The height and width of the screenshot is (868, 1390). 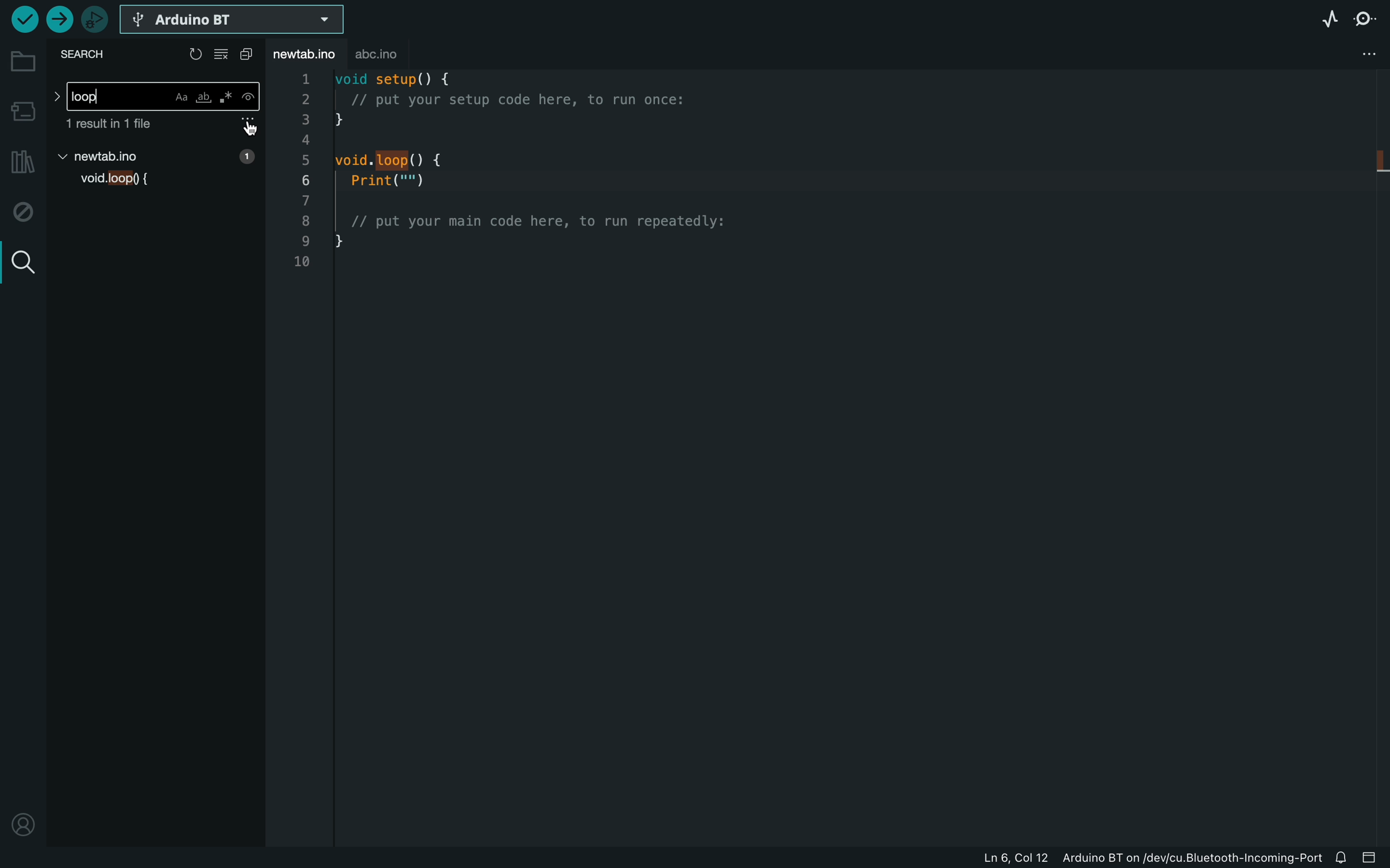 What do you see at coordinates (1343, 857) in the screenshot?
I see `notification` at bounding box center [1343, 857].